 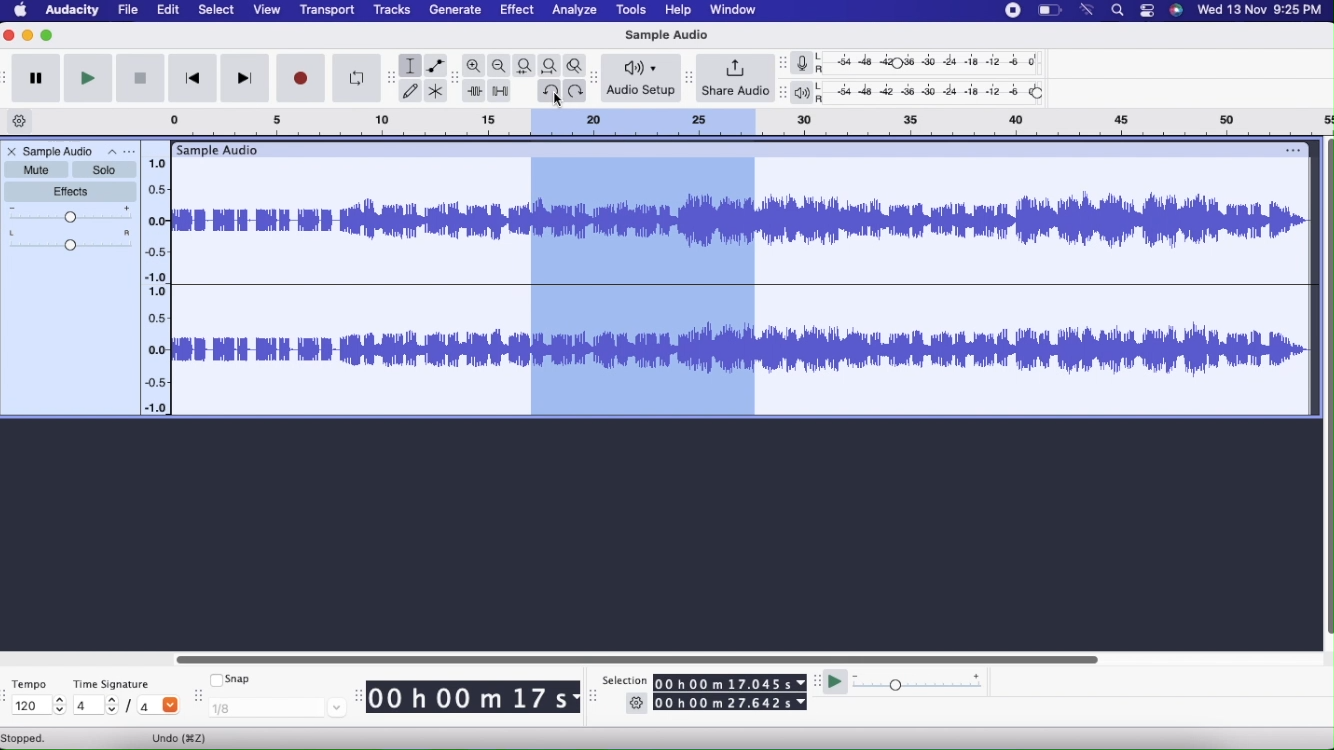 I want to click on Playback level, so click(x=938, y=94).